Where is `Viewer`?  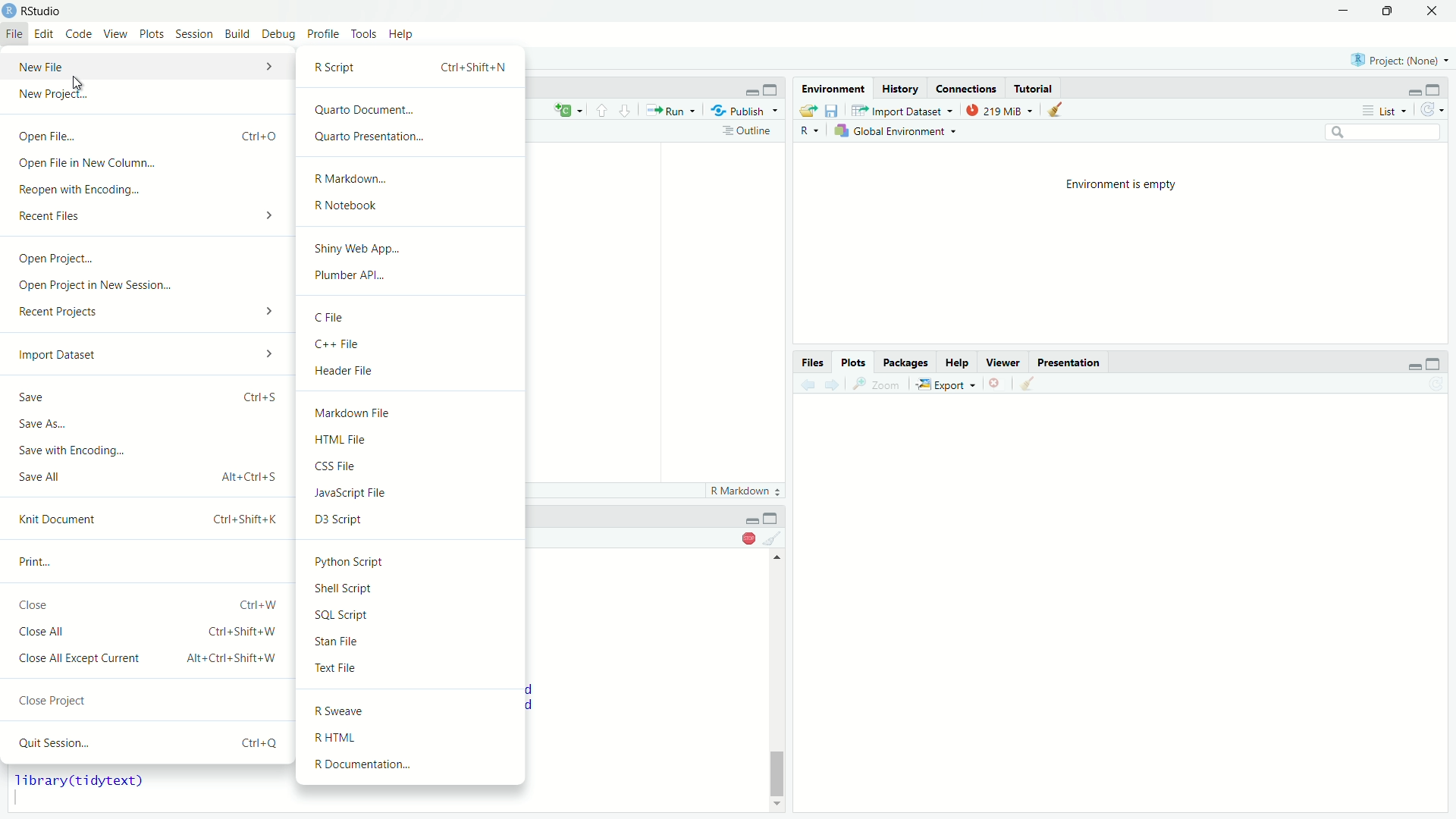 Viewer is located at coordinates (1002, 362).